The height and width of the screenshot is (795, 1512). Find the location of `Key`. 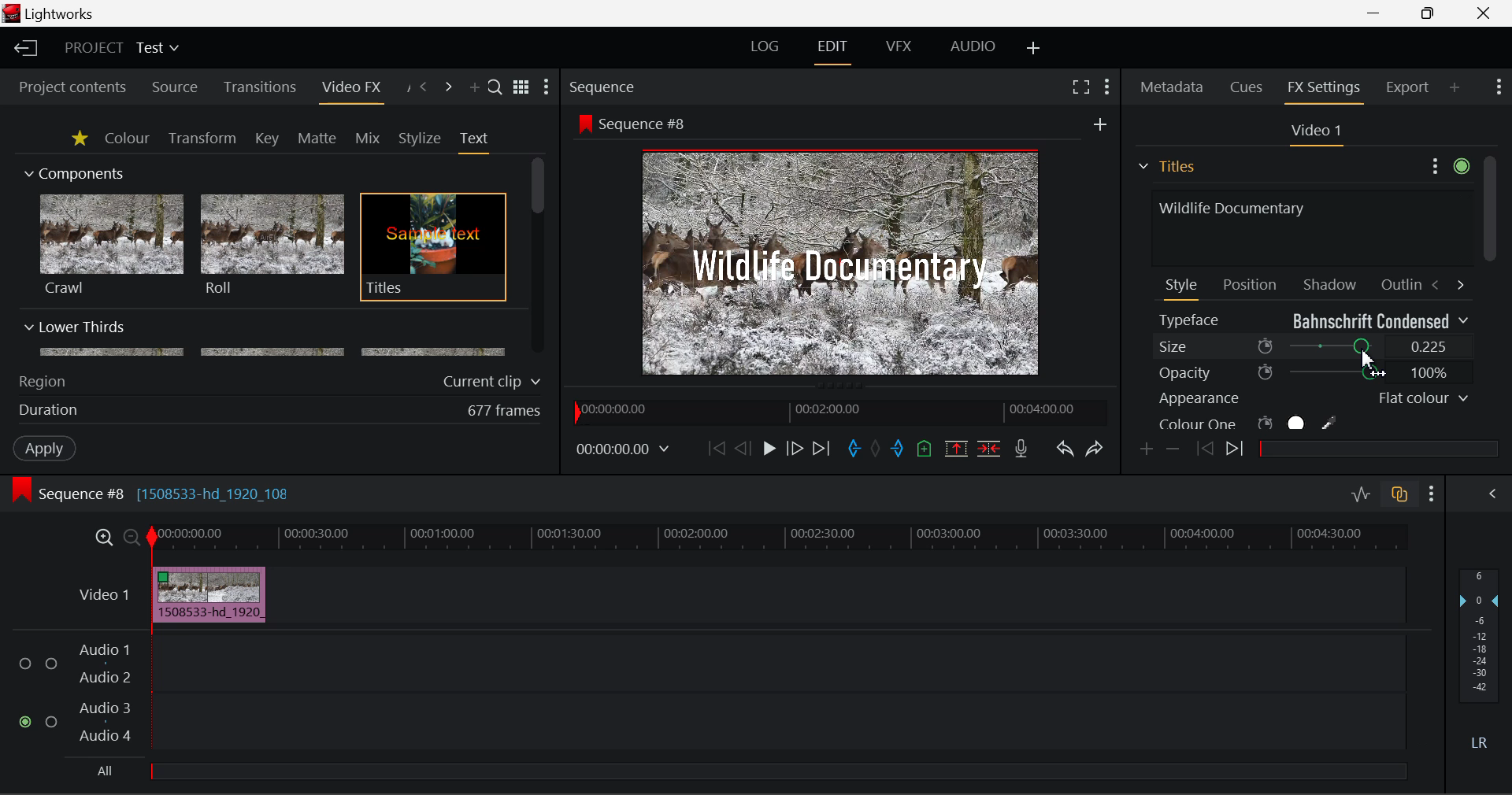

Key is located at coordinates (269, 139).